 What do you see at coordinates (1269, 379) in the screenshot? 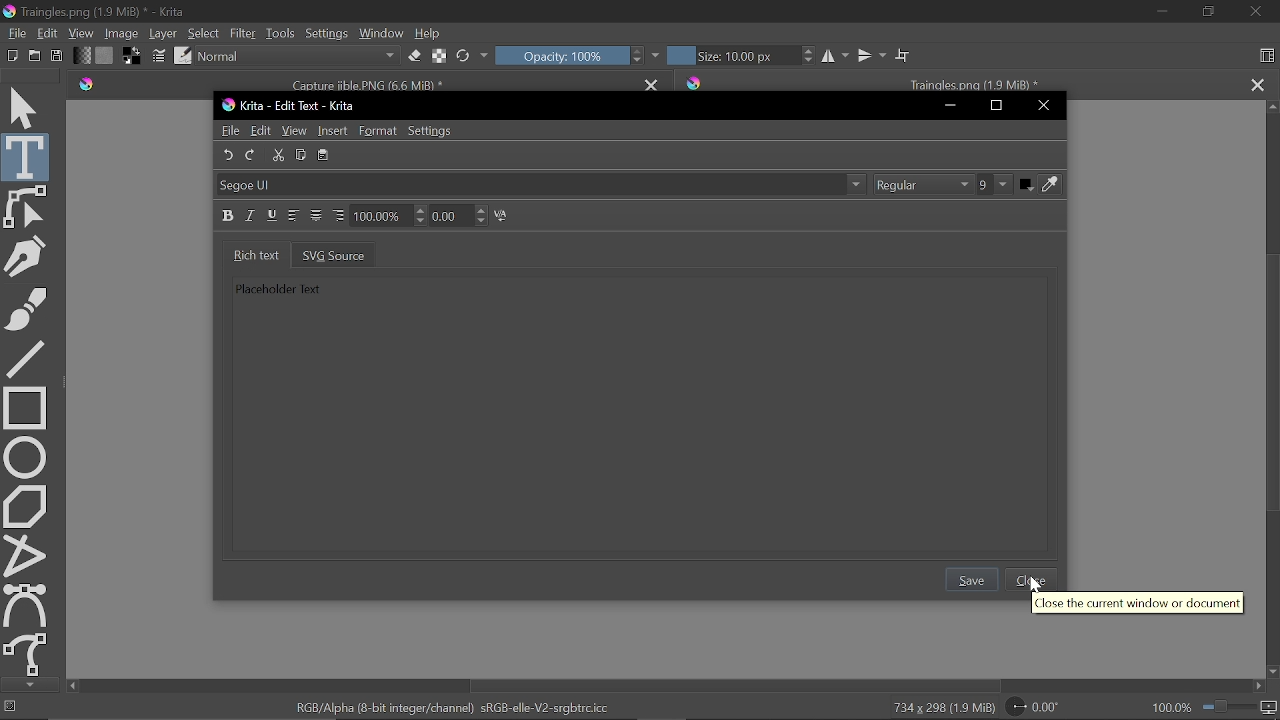
I see `vertical scrollbar` at bounding box center [1269, 379].